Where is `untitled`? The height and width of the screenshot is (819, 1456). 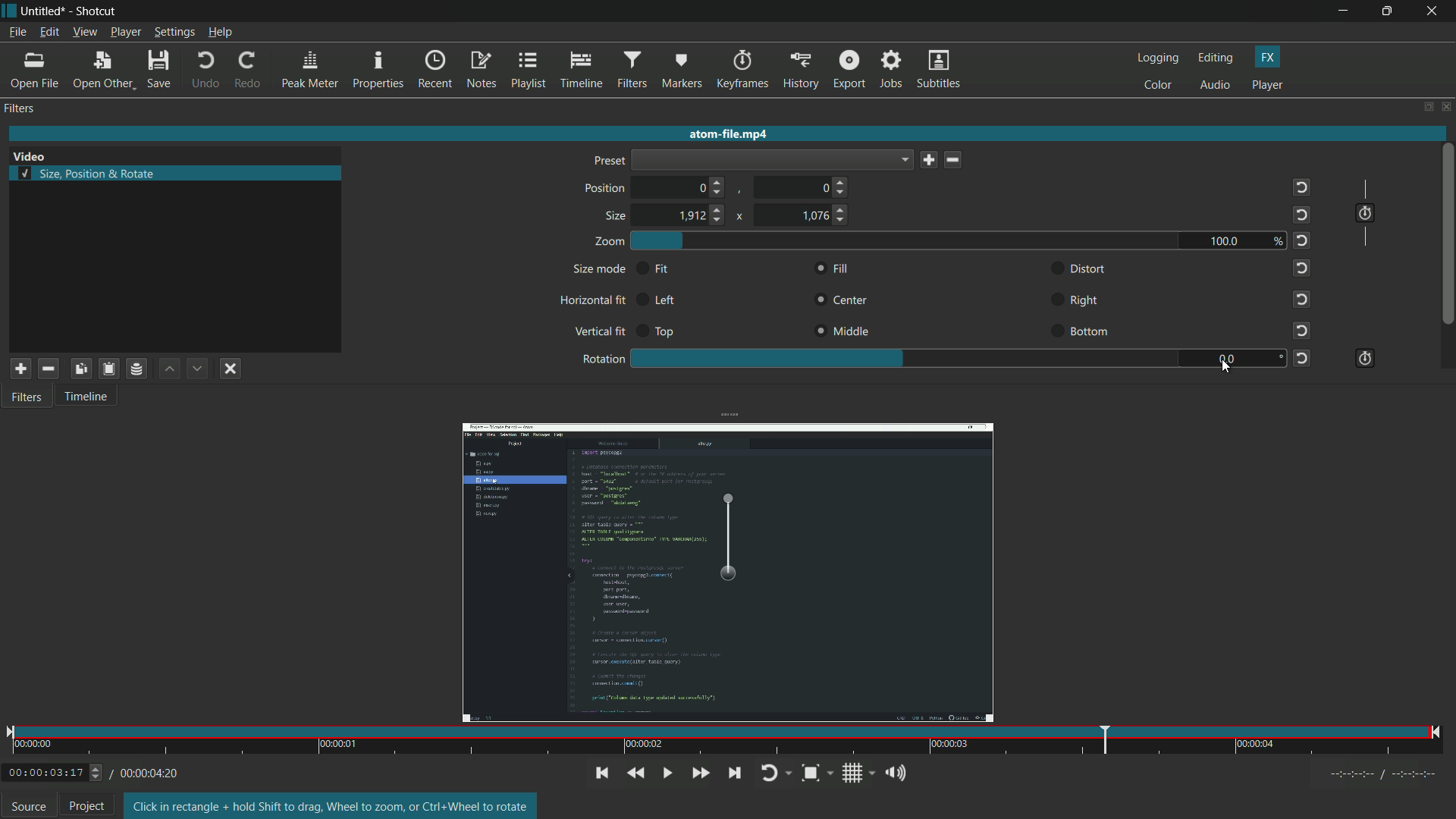
untitled is located at coordinates (43, 11).